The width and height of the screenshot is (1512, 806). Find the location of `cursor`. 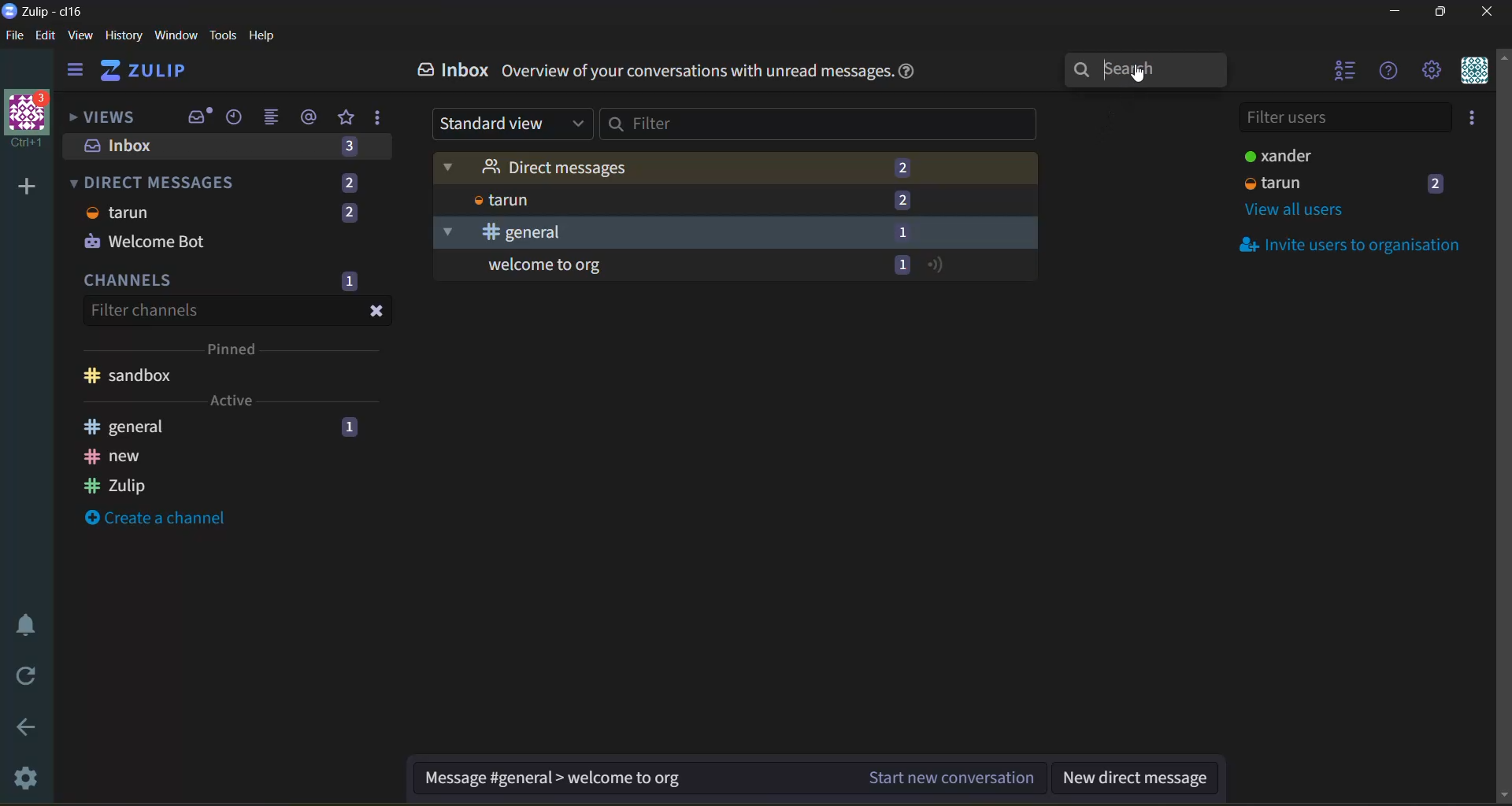

cursor is located at coordinates (1147, 78).